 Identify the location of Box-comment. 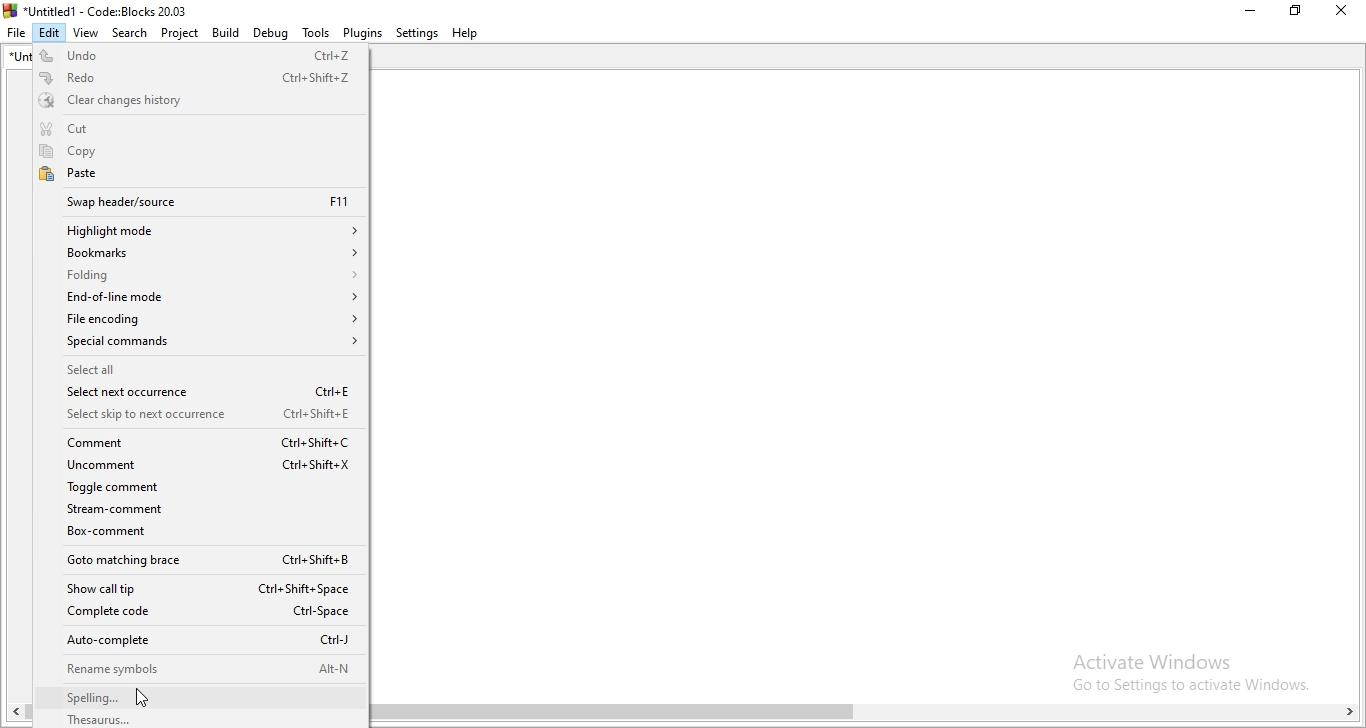
(206, 532).